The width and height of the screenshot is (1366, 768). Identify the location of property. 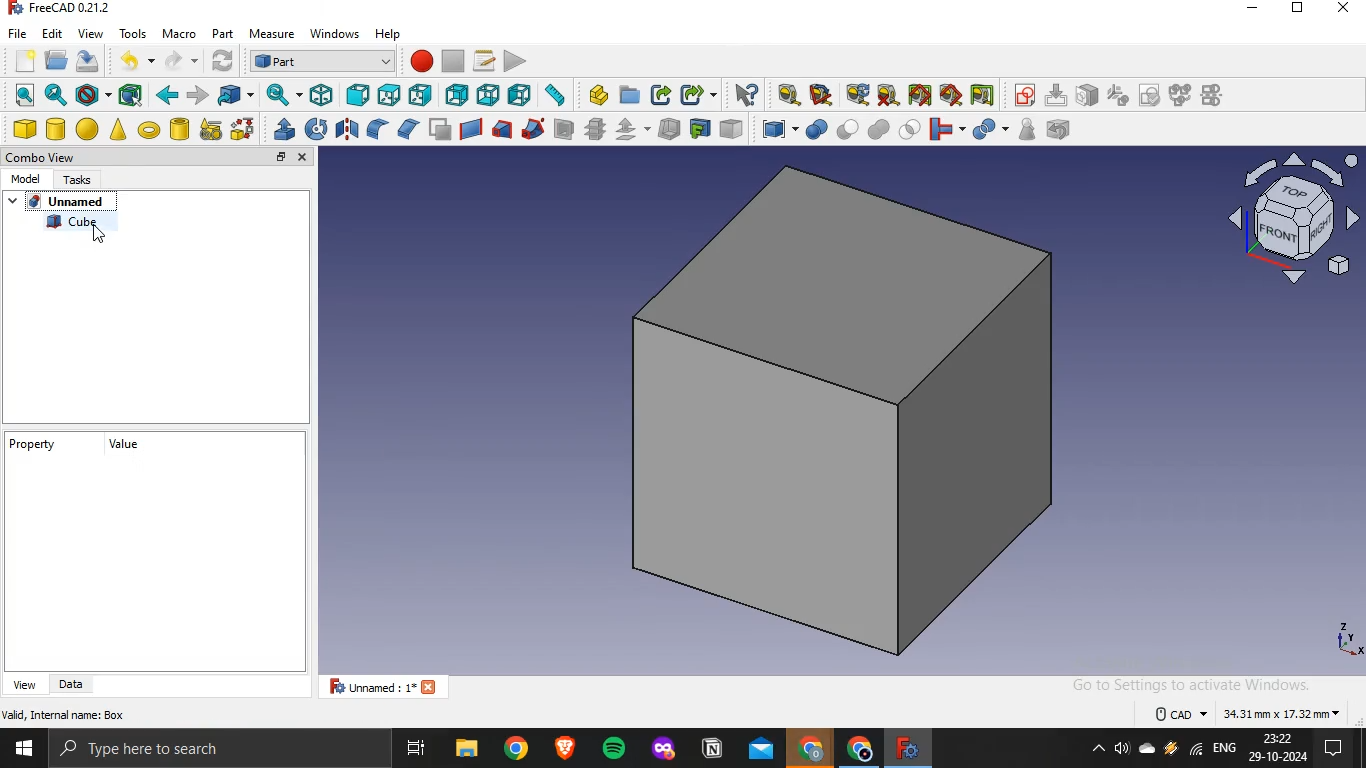
(36, 444).